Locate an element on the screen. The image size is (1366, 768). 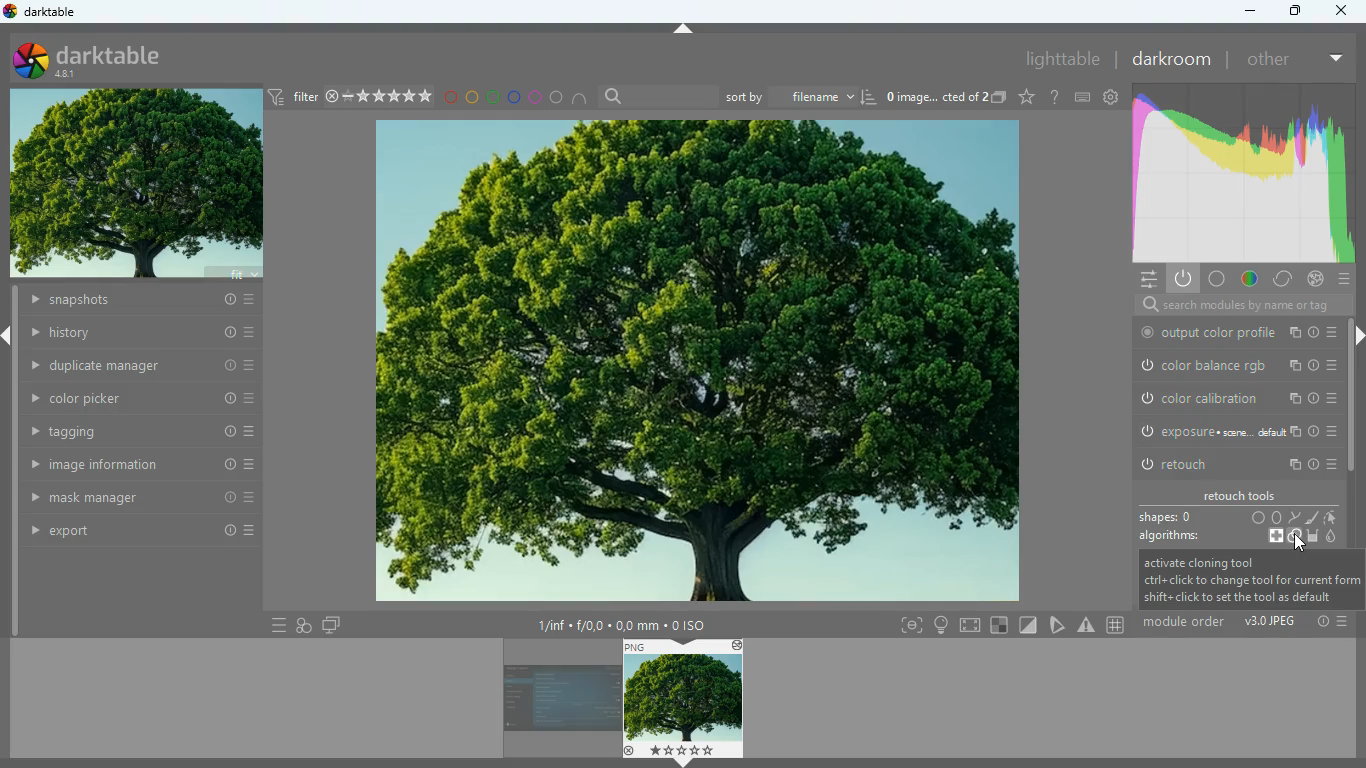
yellow is located at coordinates (471, 98).